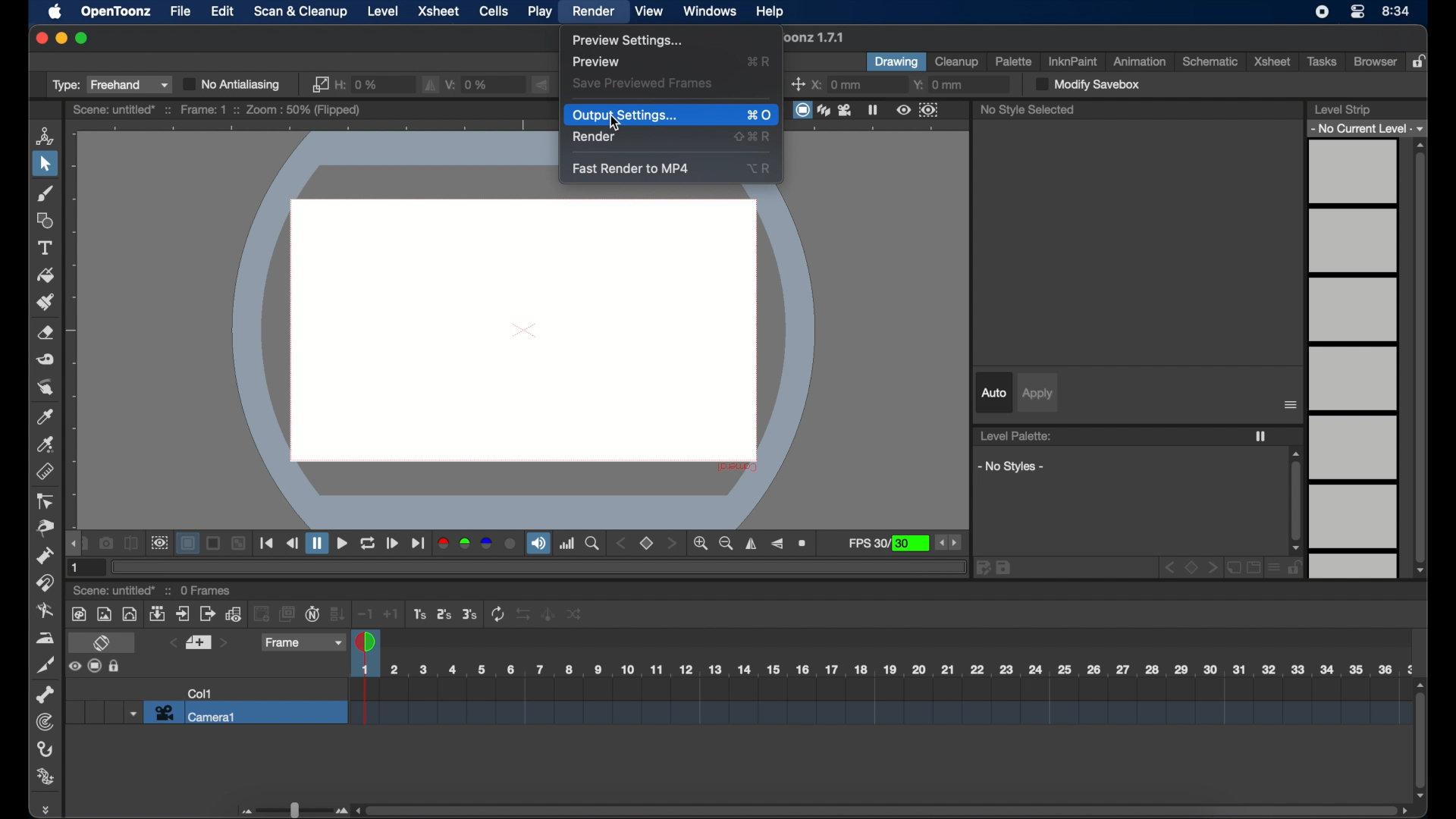 This screenshot has width=1456, height=819. I want to click on flip vertically, so click(542, 84).